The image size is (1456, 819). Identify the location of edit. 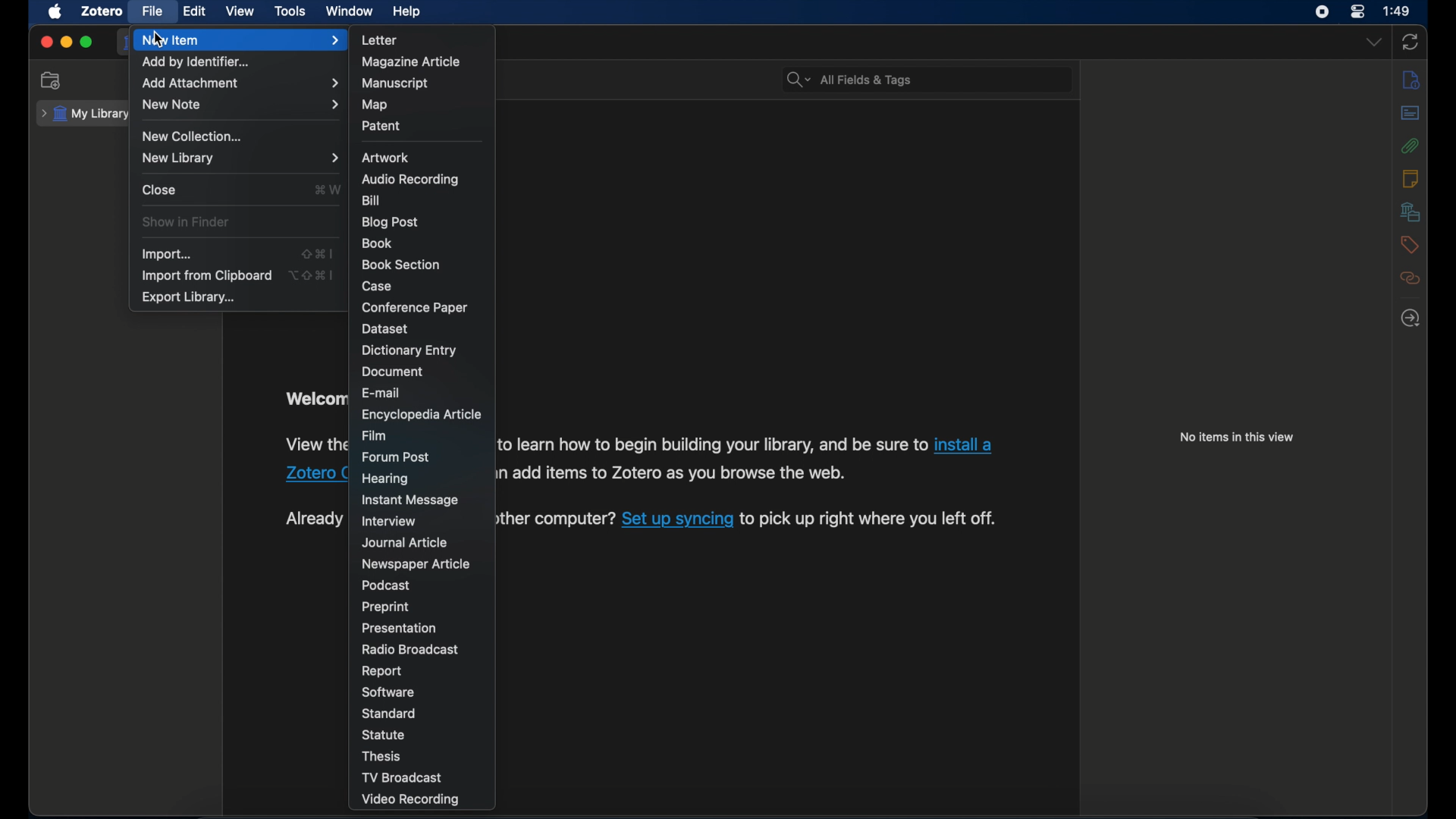
(196, 11).